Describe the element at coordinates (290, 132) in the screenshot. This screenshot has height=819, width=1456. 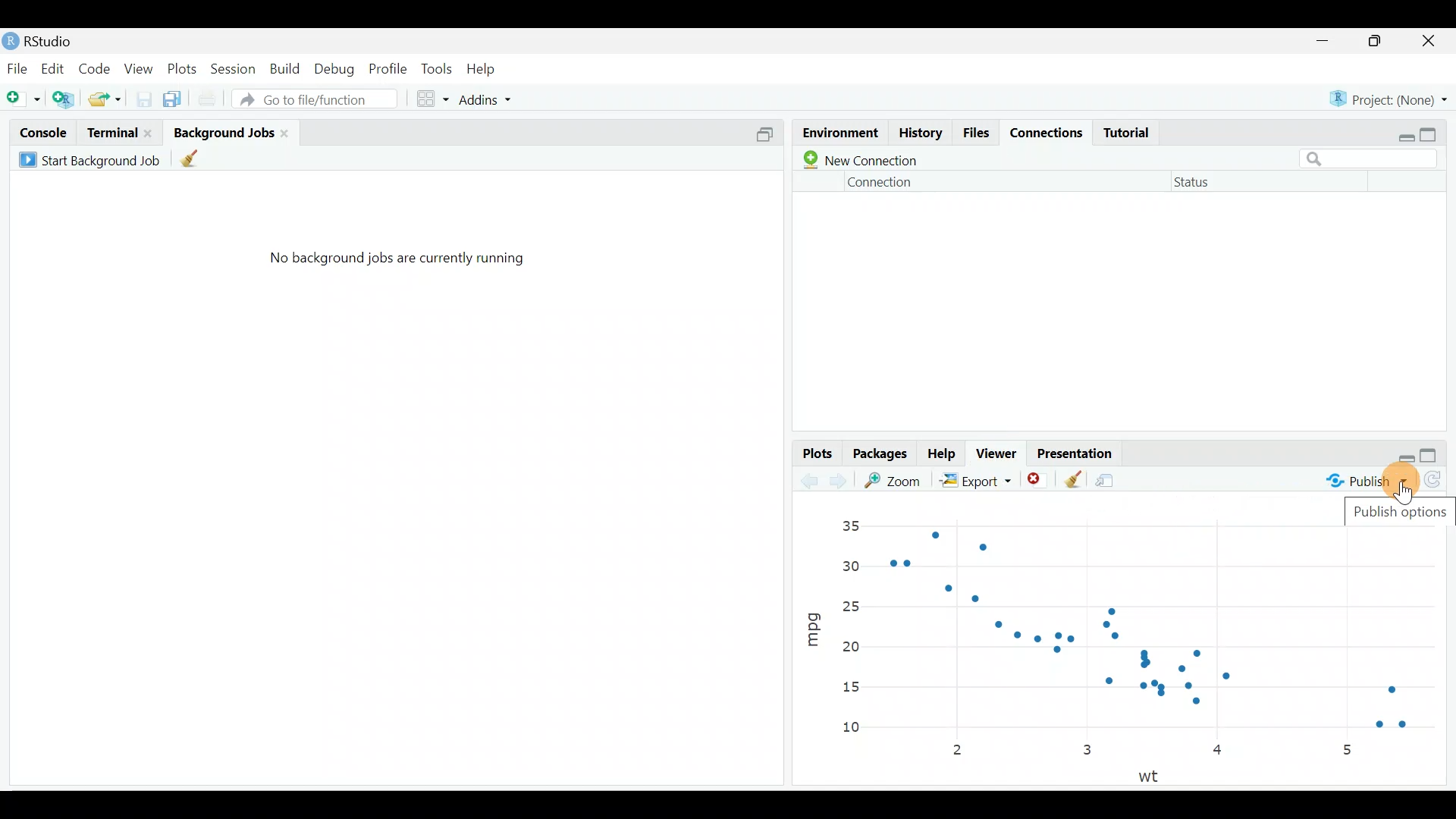
I see `close background job` at that location.